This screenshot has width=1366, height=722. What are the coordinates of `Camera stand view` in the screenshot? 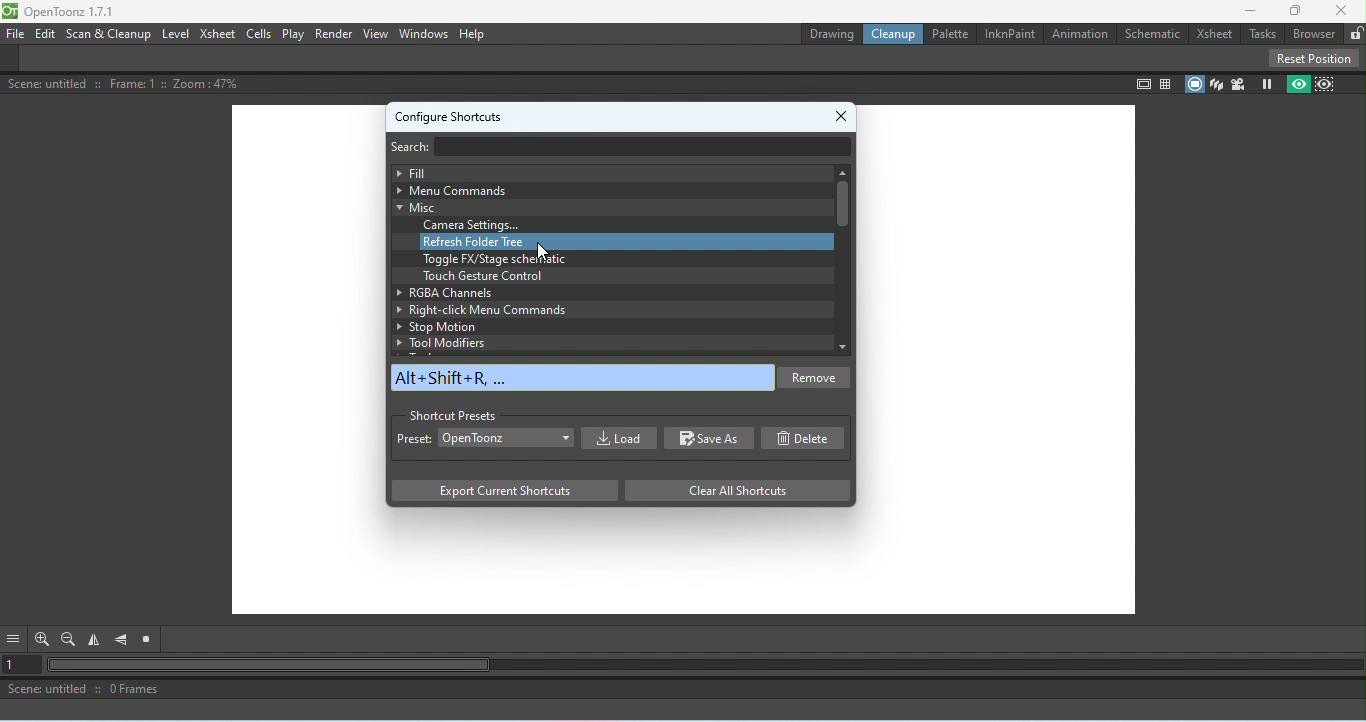 It's located at (1193, 82).